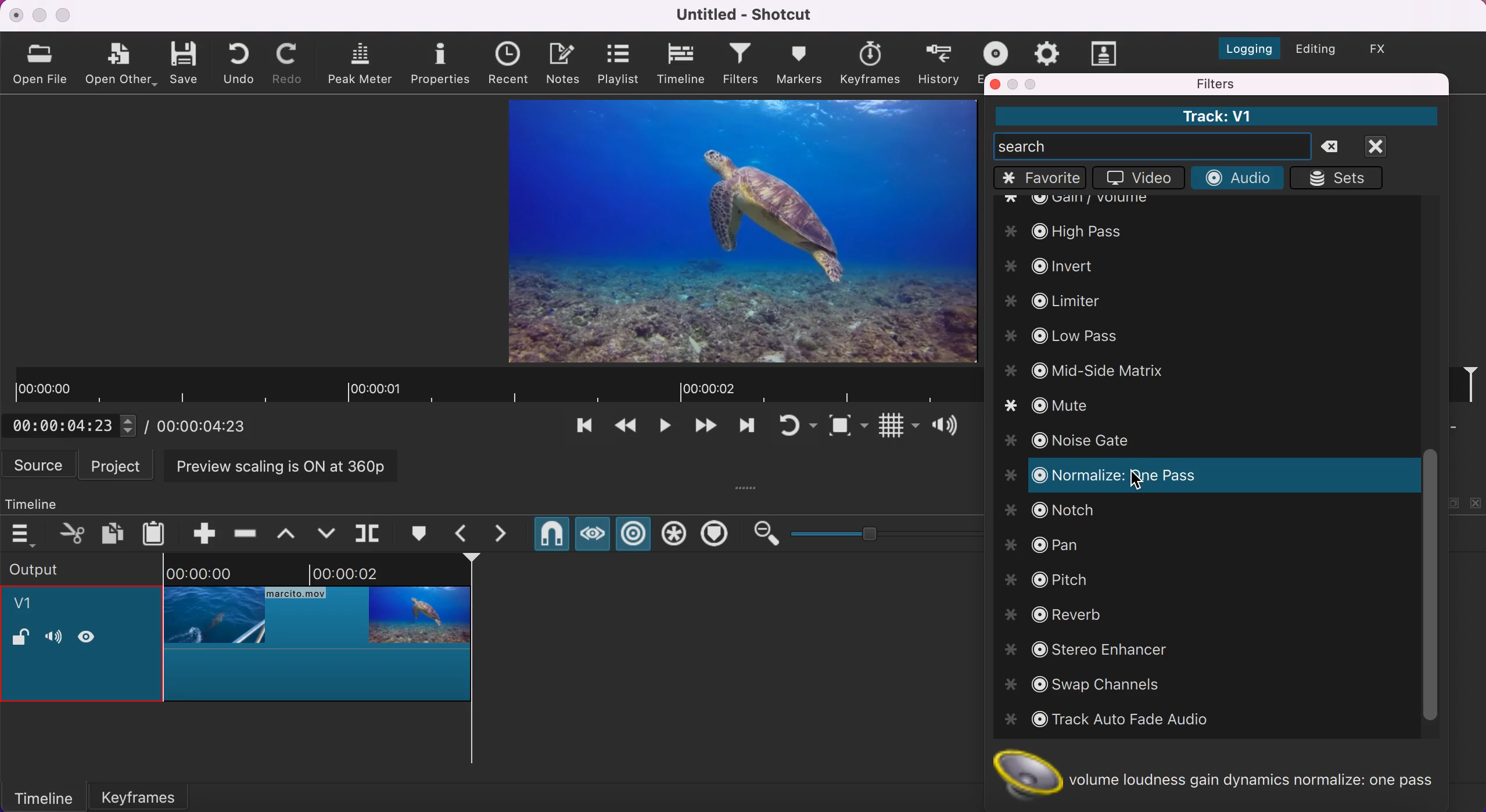 Image resolution: width=1486 pixels, height=812 pixels. I want to click on create/edit marker, so click(422, 534).